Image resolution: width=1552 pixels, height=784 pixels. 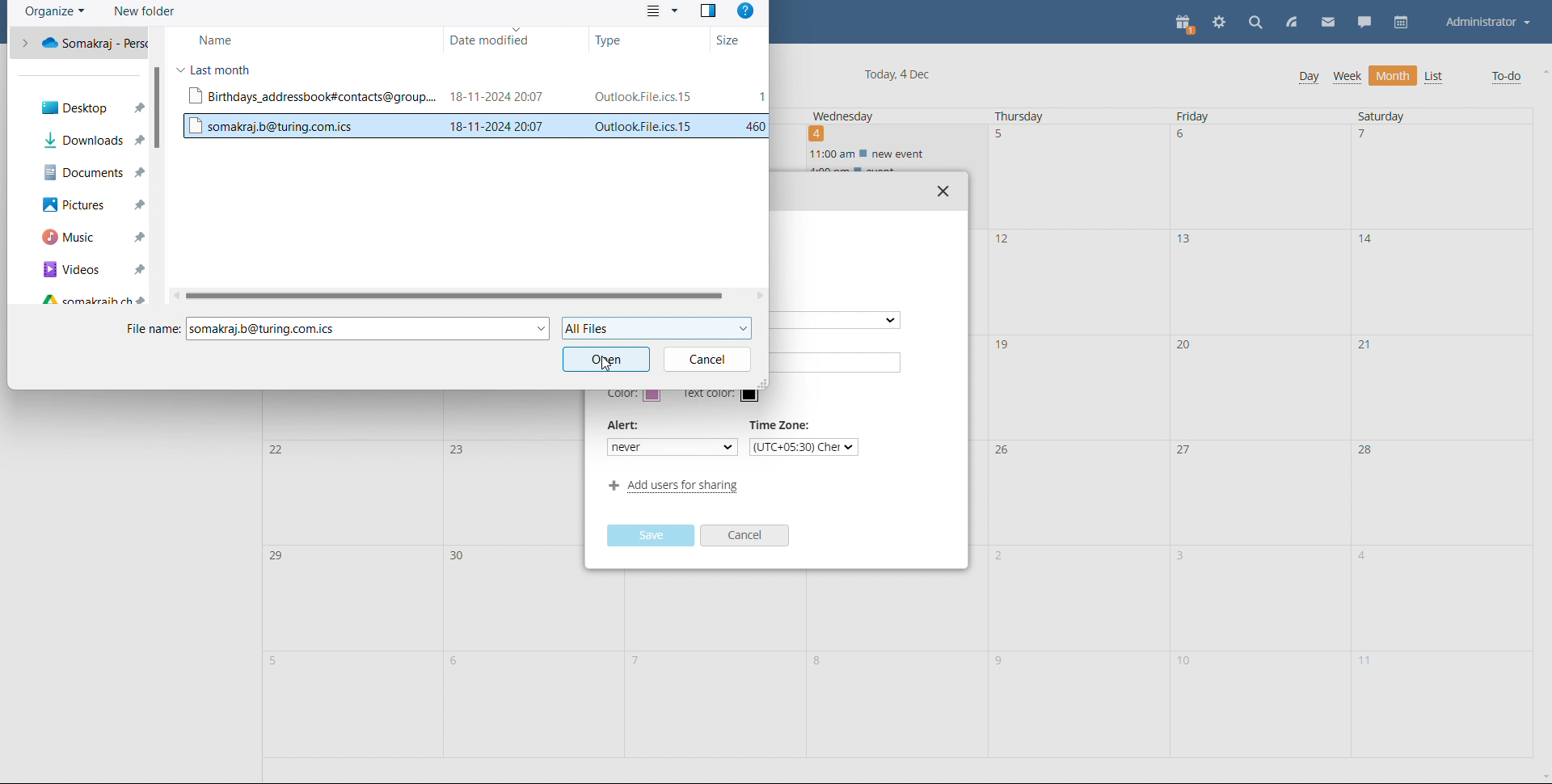 I want to click on , so click(x=735, y=37).